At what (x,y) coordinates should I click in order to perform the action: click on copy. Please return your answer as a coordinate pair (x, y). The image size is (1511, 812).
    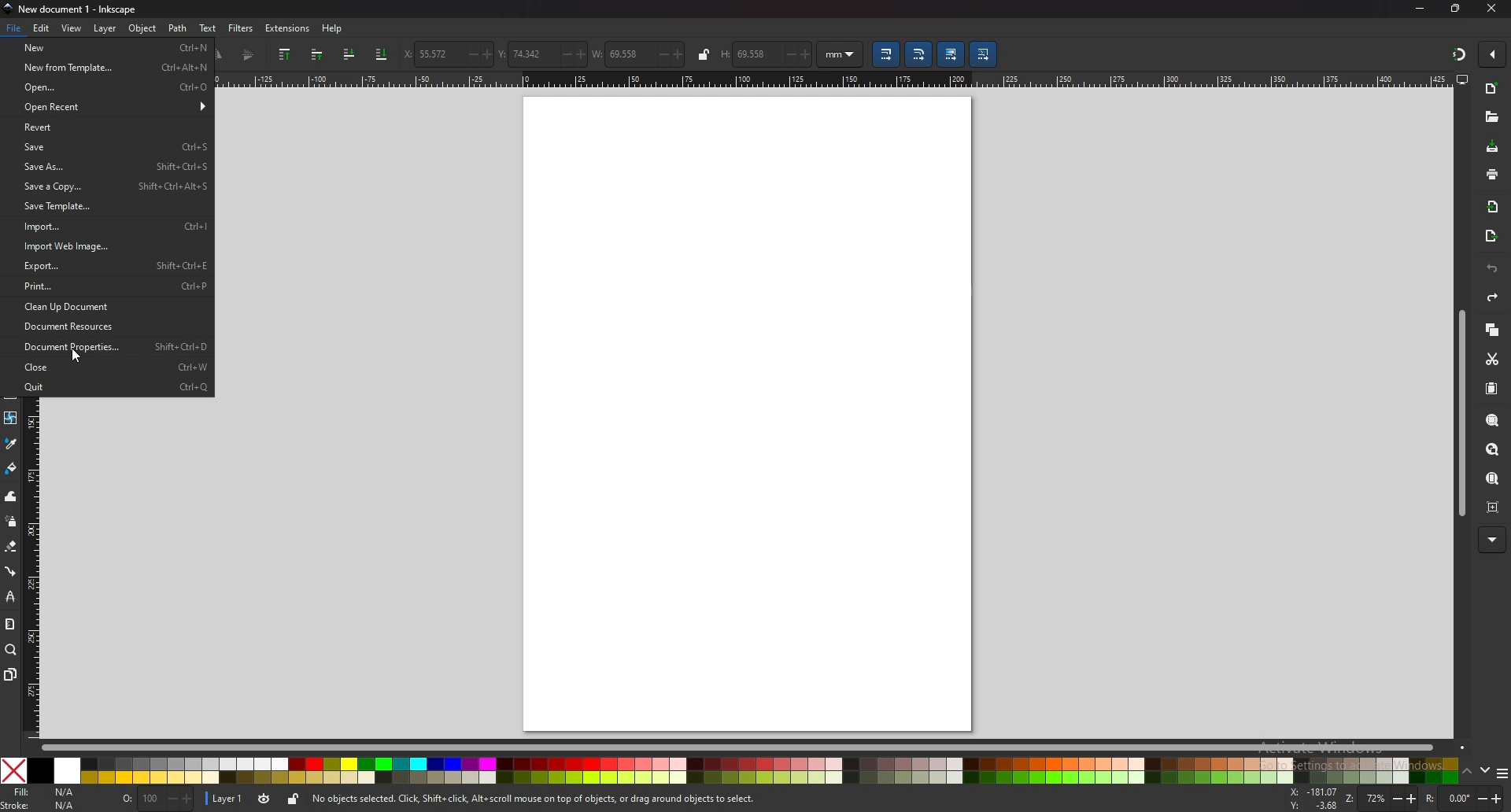
    Looking at the image, I should click on (1493, 330).